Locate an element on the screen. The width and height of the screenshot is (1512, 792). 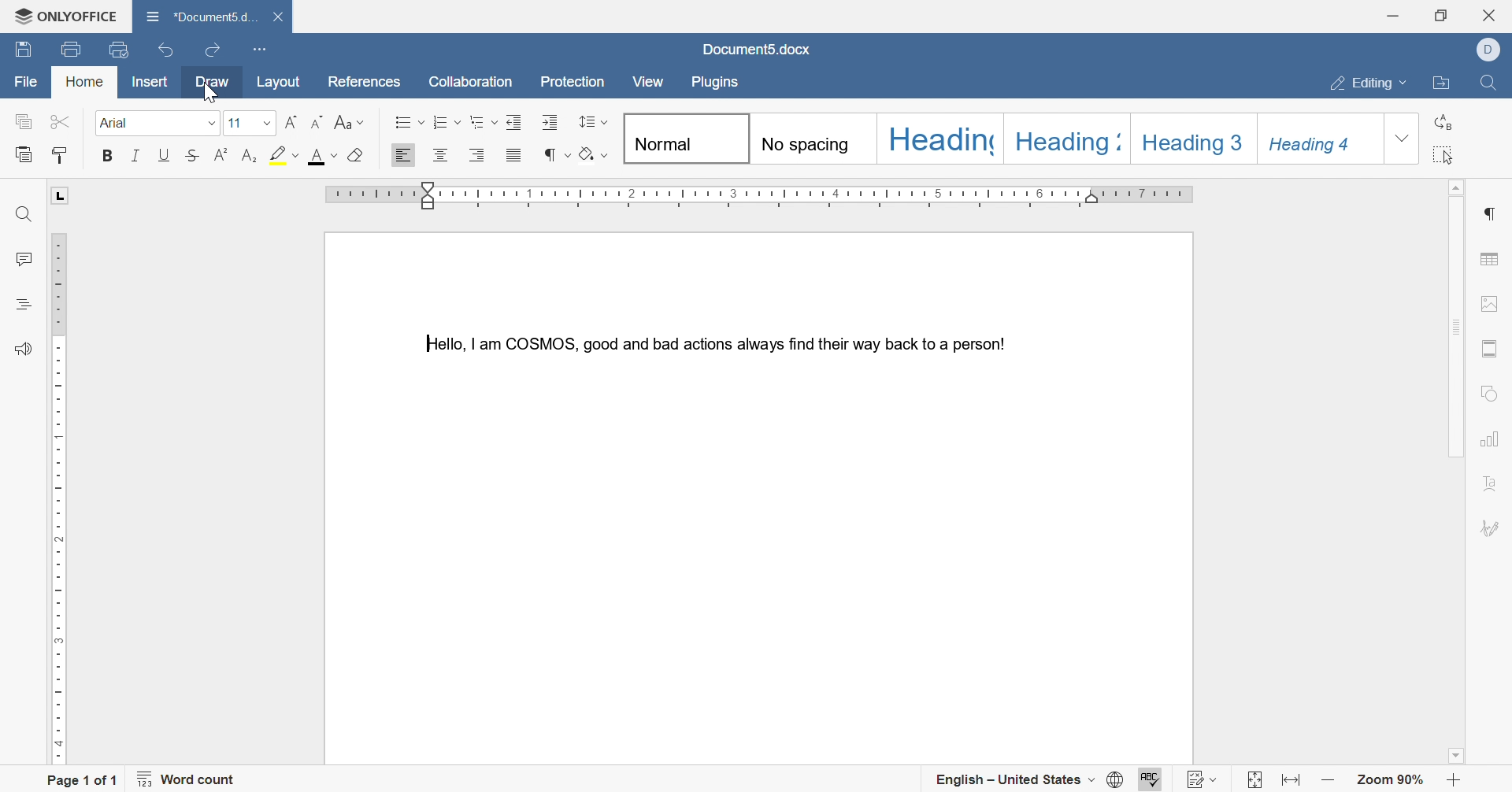
justified is located at coordinates (513, 154).